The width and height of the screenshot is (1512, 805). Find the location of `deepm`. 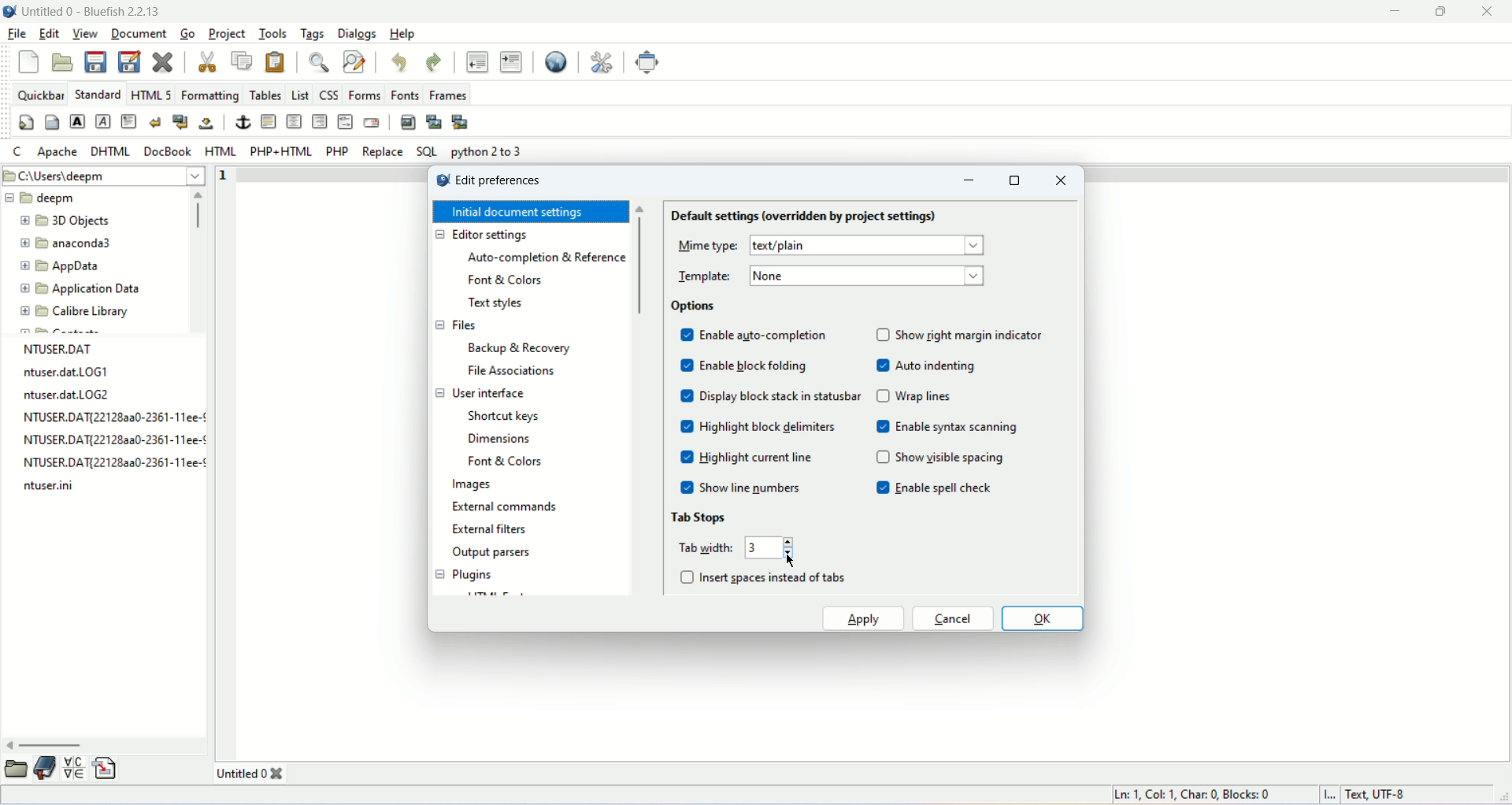

deepm is located at coordinates (59, 201).